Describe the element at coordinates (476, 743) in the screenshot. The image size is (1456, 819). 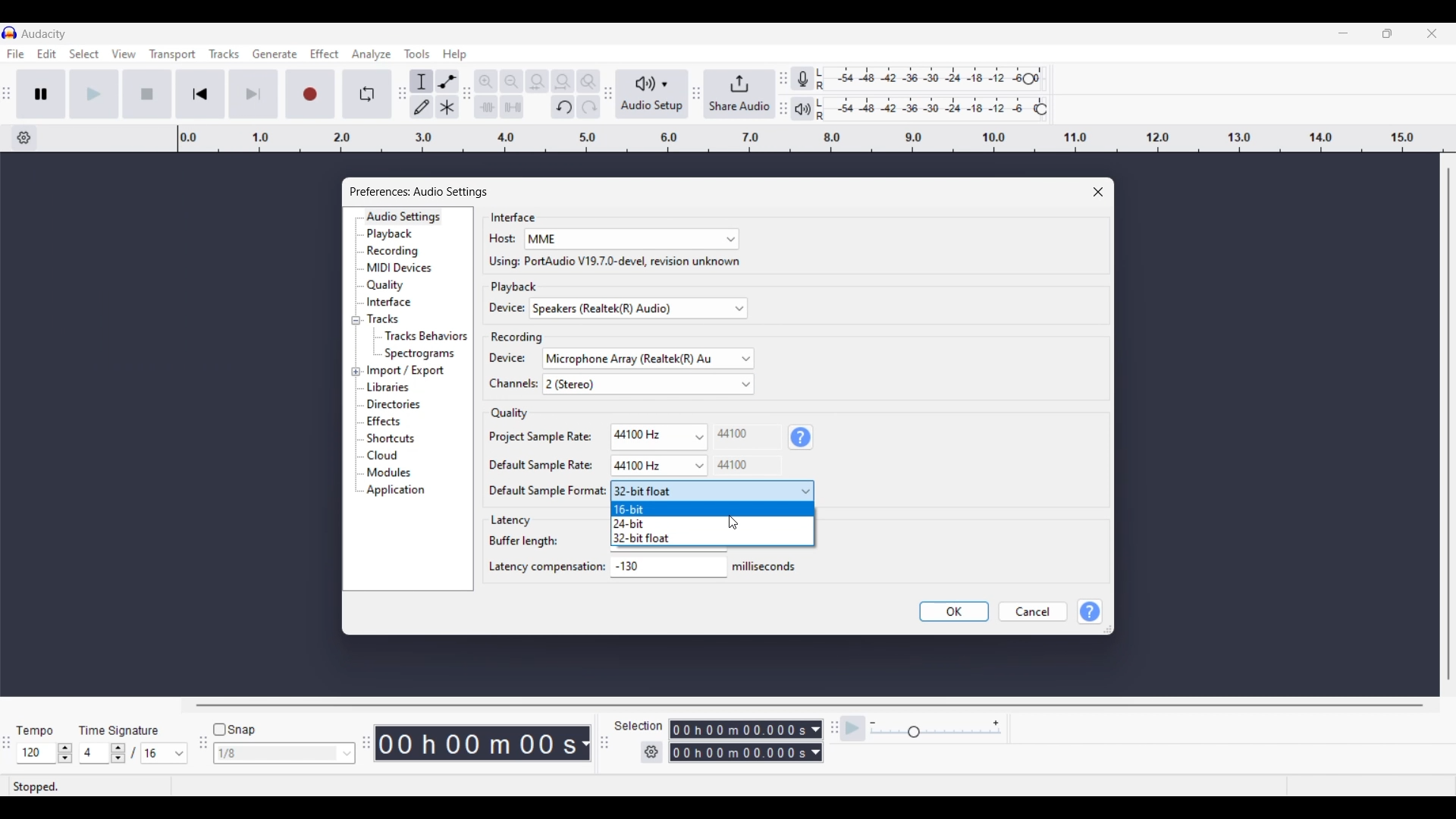
I see `Shows recorded duration` at that location.